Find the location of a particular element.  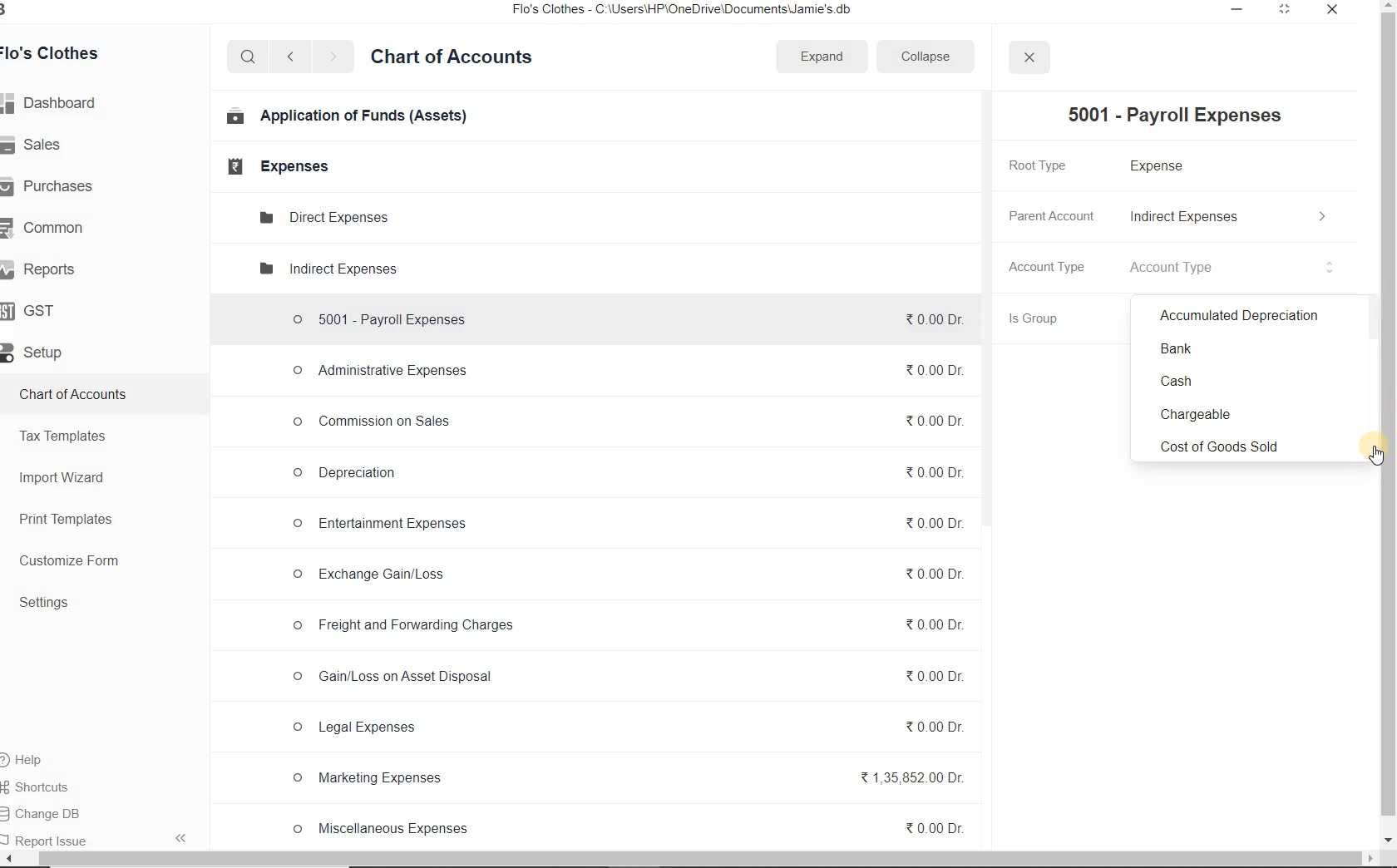

Purchases is located at coordinates (58, 187).